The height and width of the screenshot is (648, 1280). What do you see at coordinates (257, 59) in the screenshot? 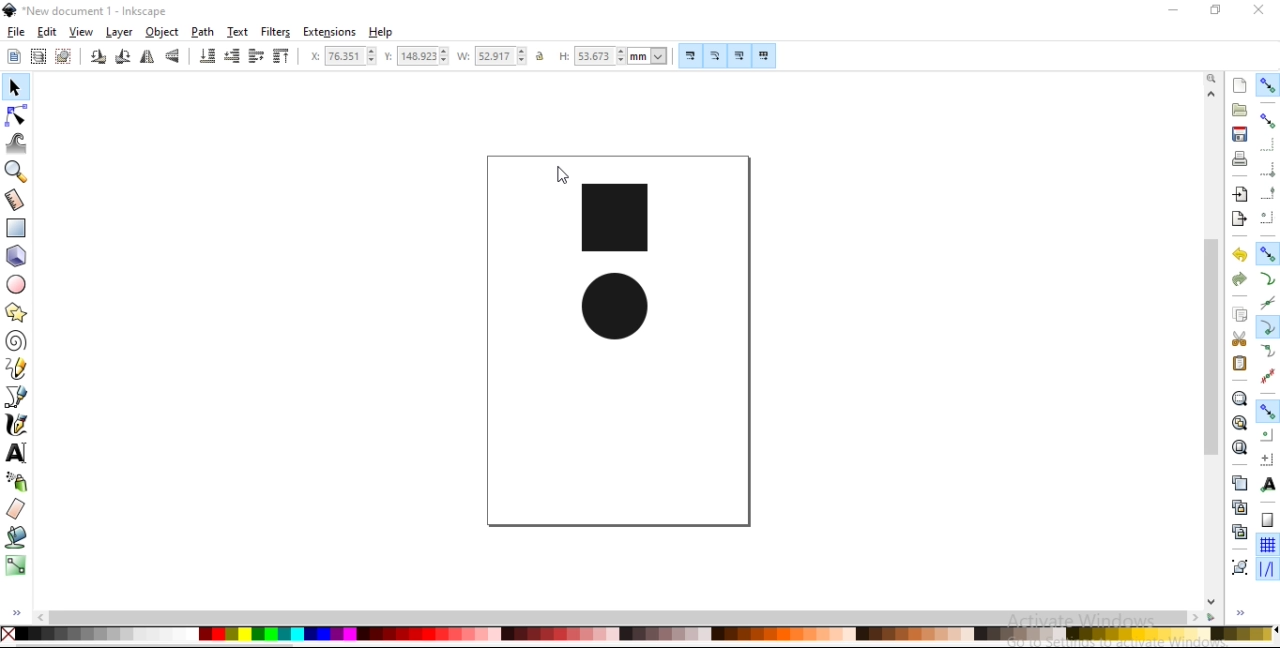
I see `raise selection by one step` at bounding box center [257, 59].